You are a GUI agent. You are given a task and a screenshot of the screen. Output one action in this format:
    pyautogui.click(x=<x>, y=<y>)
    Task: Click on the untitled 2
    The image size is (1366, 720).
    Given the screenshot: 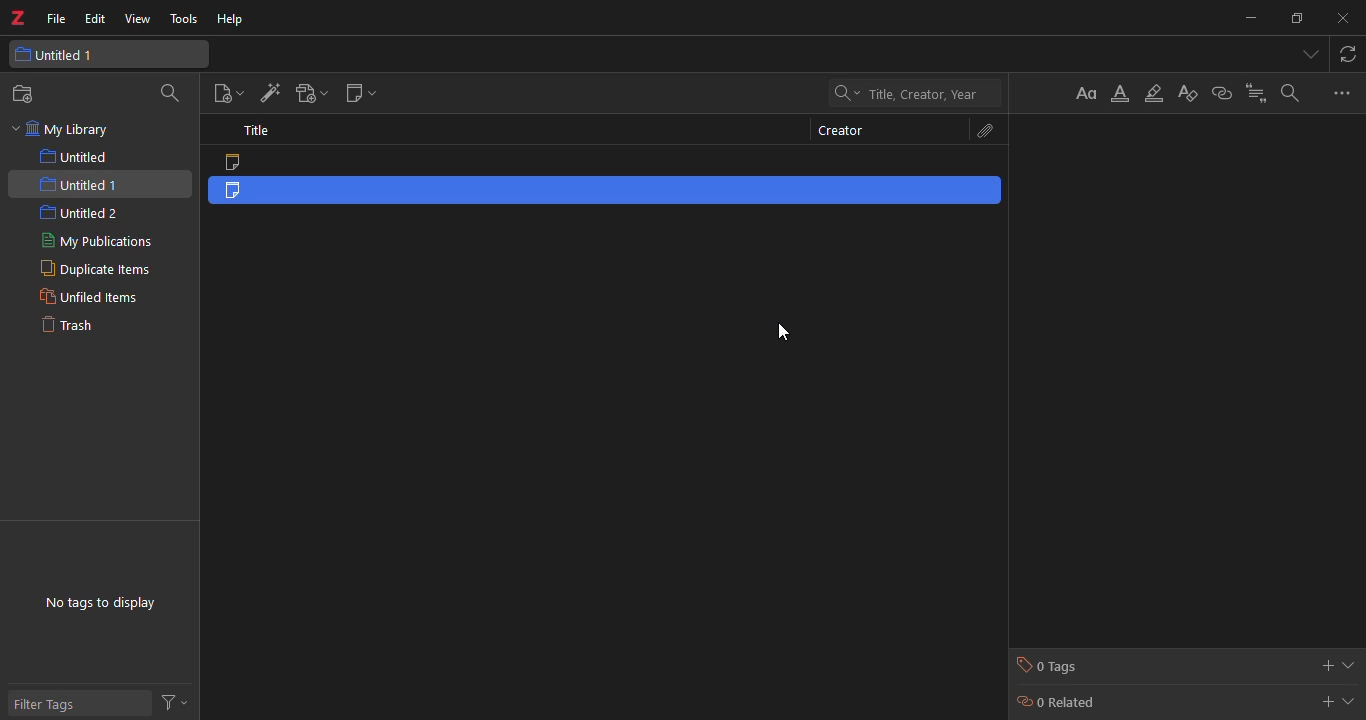 What is the action you would take?
    pyautogui.click(x=80, y=212)
    